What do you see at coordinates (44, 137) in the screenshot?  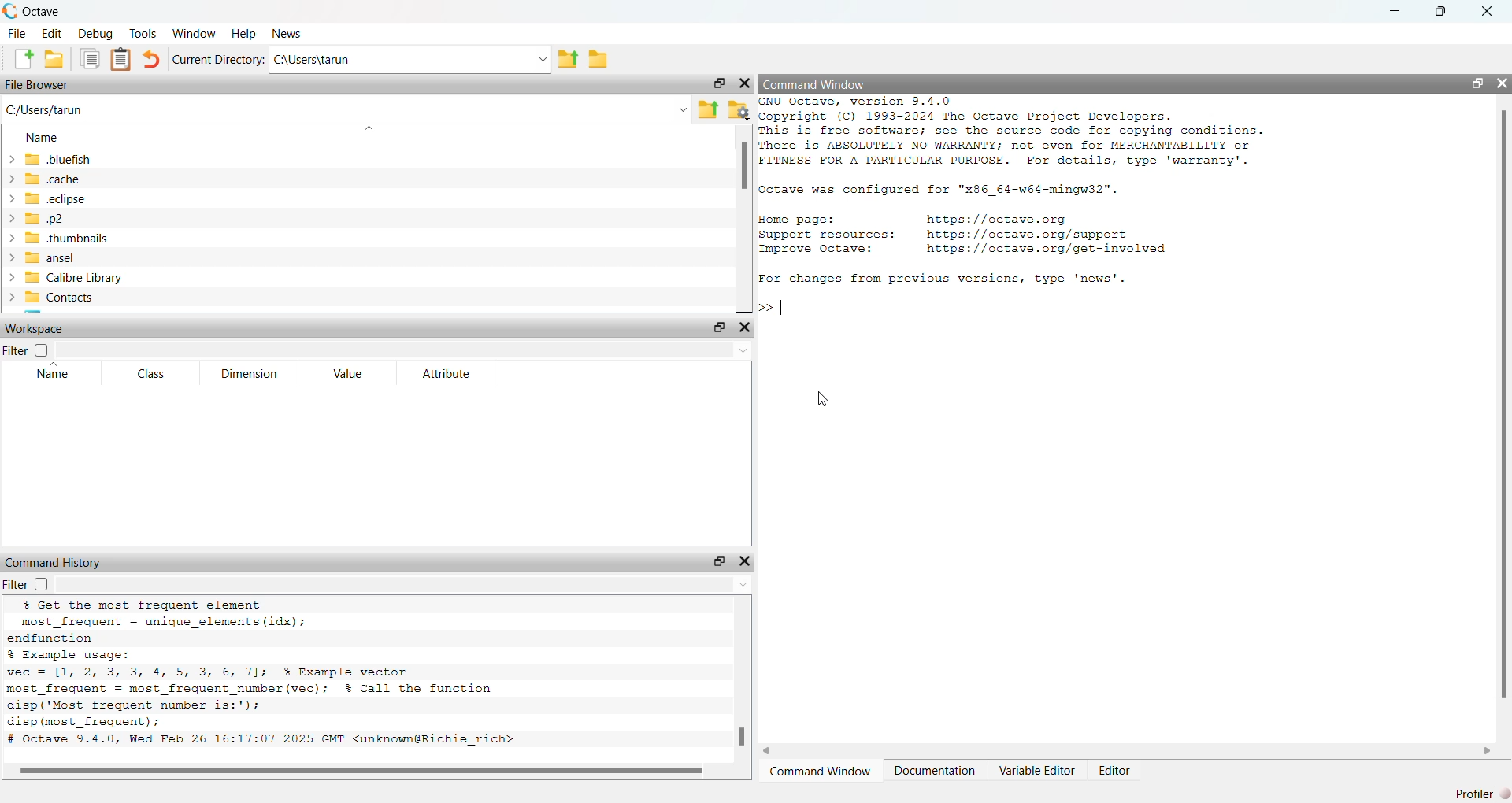 I see `Name` at bounding box center [44, 137].